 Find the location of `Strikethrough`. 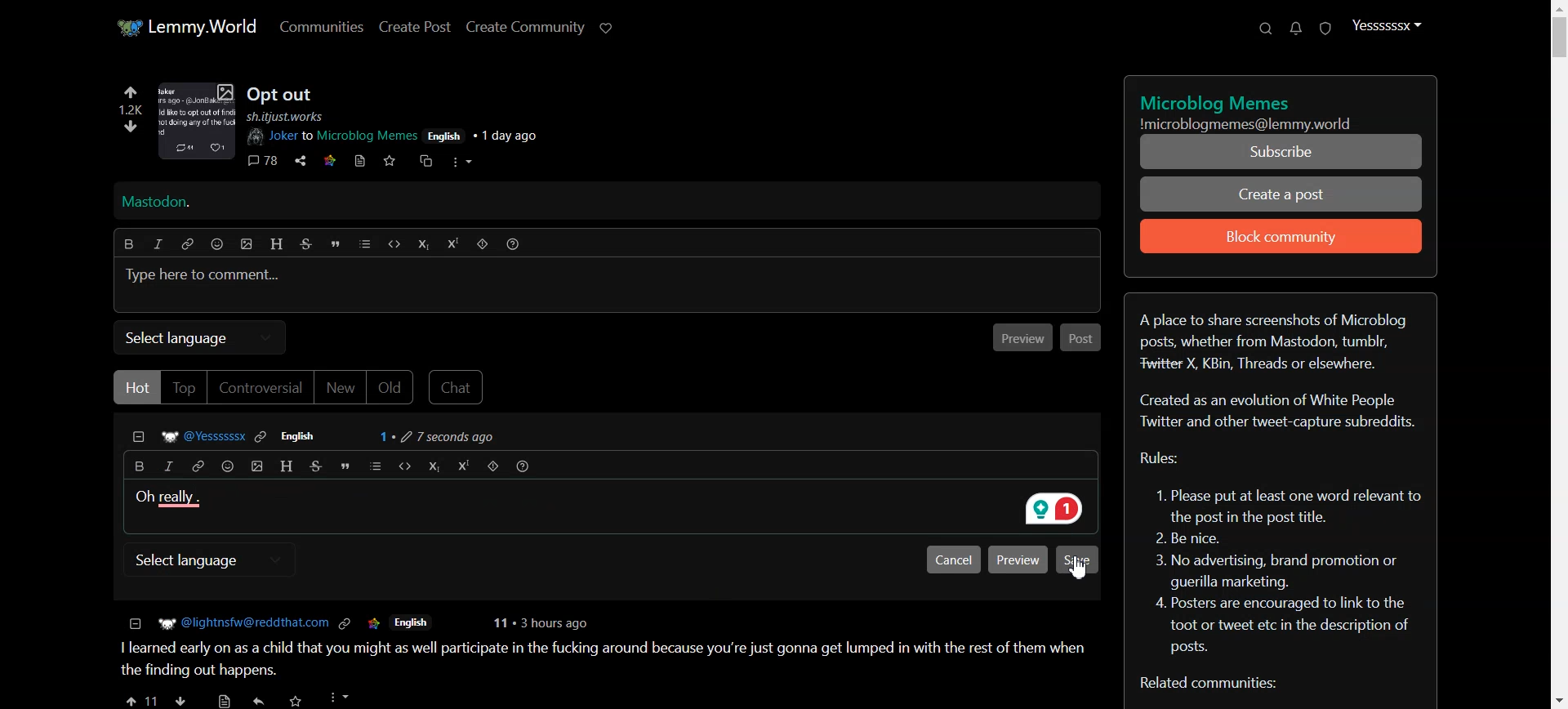

Strikethrough is located at coordinates (313, 466).